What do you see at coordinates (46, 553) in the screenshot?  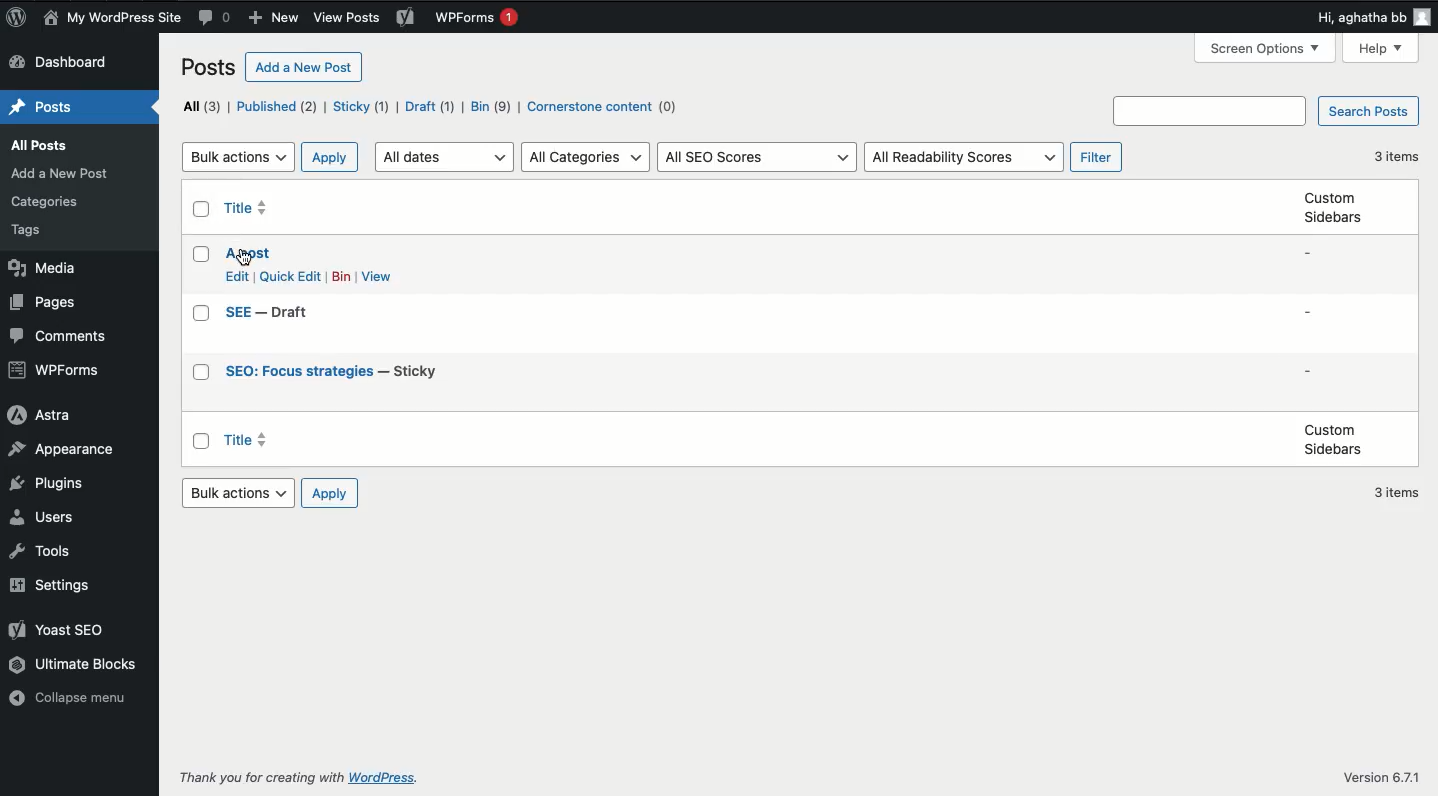 I see `Tools` at bounding box center [46, 553].